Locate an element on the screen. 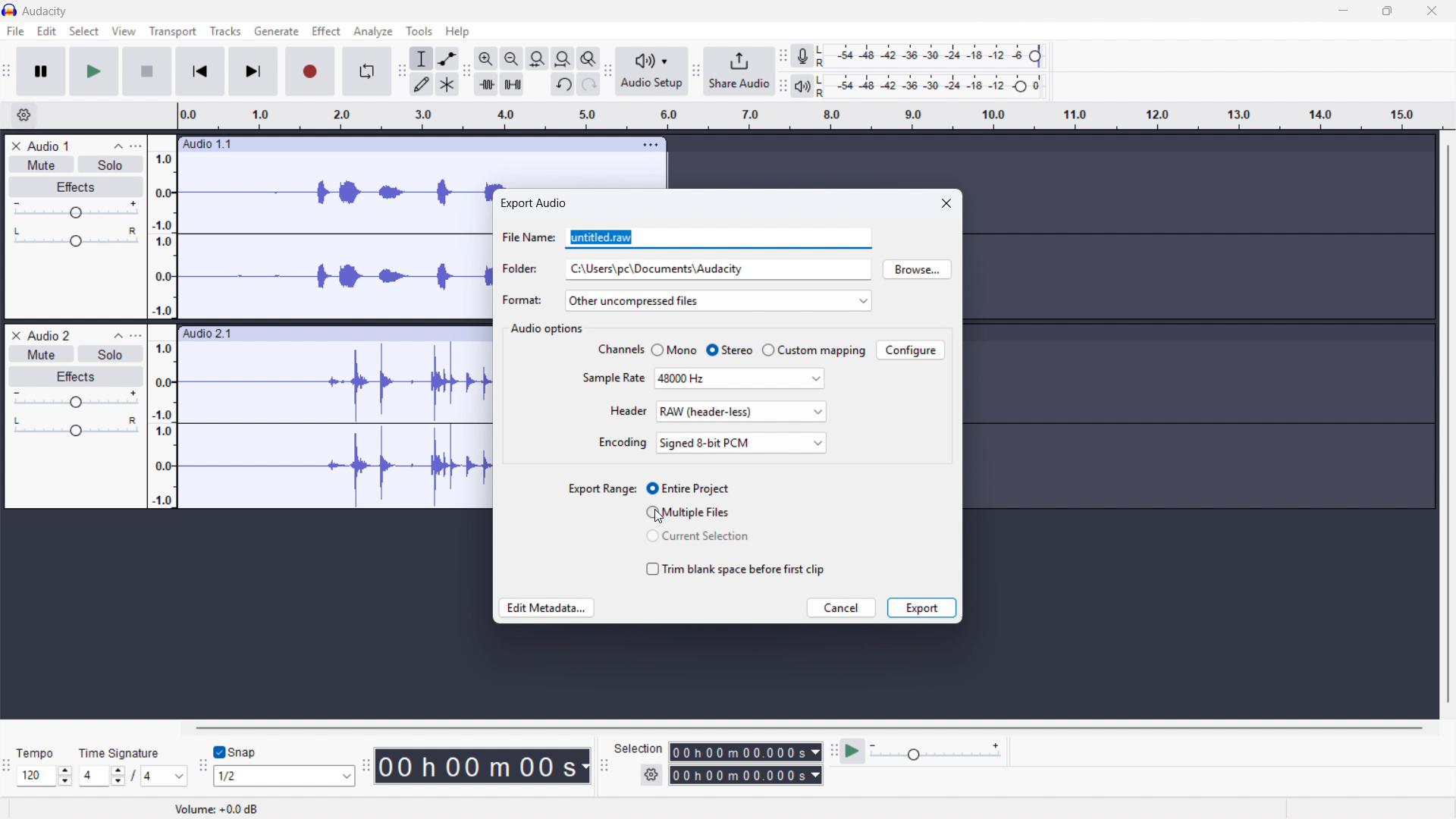 The image size is (1456, 819). Save to folder  is located at coordinates (717, 269).